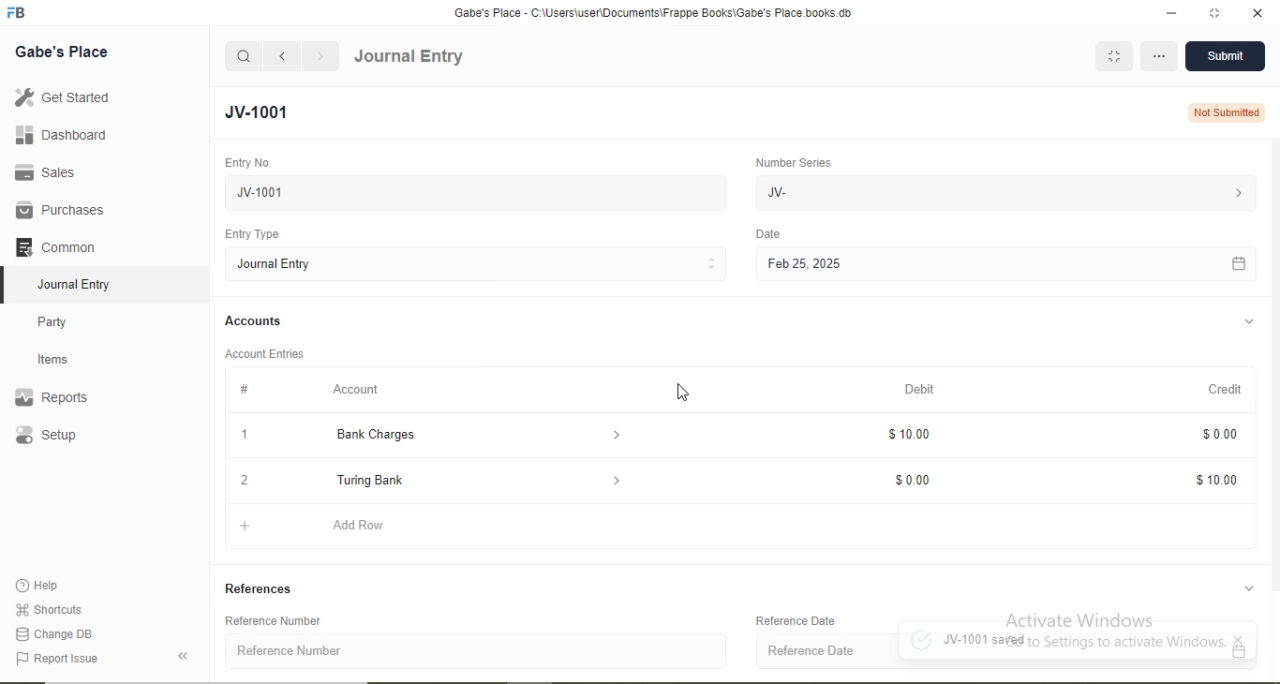 This screenshot has height=684, width=1280. I want to click on Setup, so click(75, 437).